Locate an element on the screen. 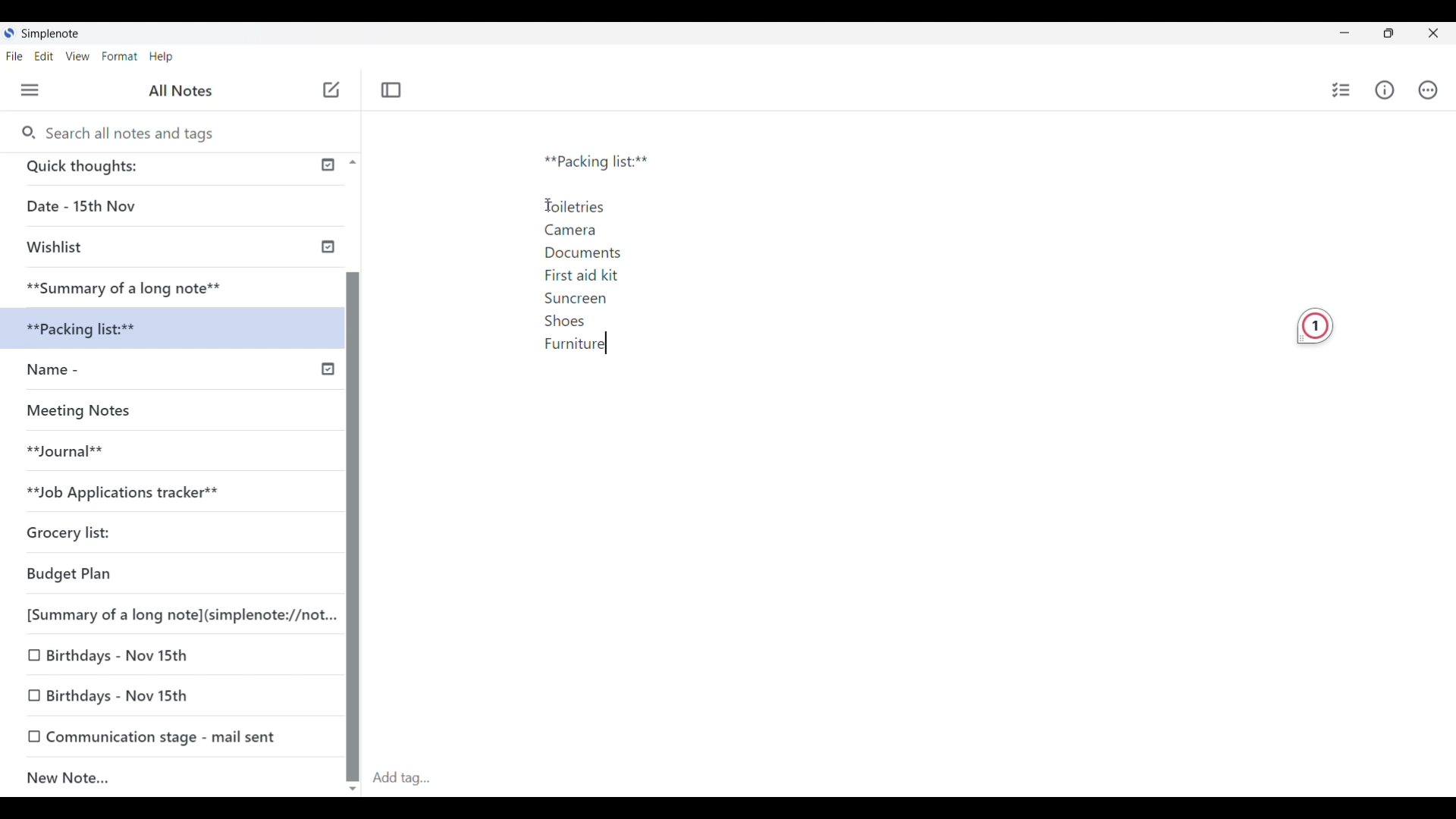 This screenshot has width=1456, height=819. Quick thoughts is located at coordinates (143, 168).